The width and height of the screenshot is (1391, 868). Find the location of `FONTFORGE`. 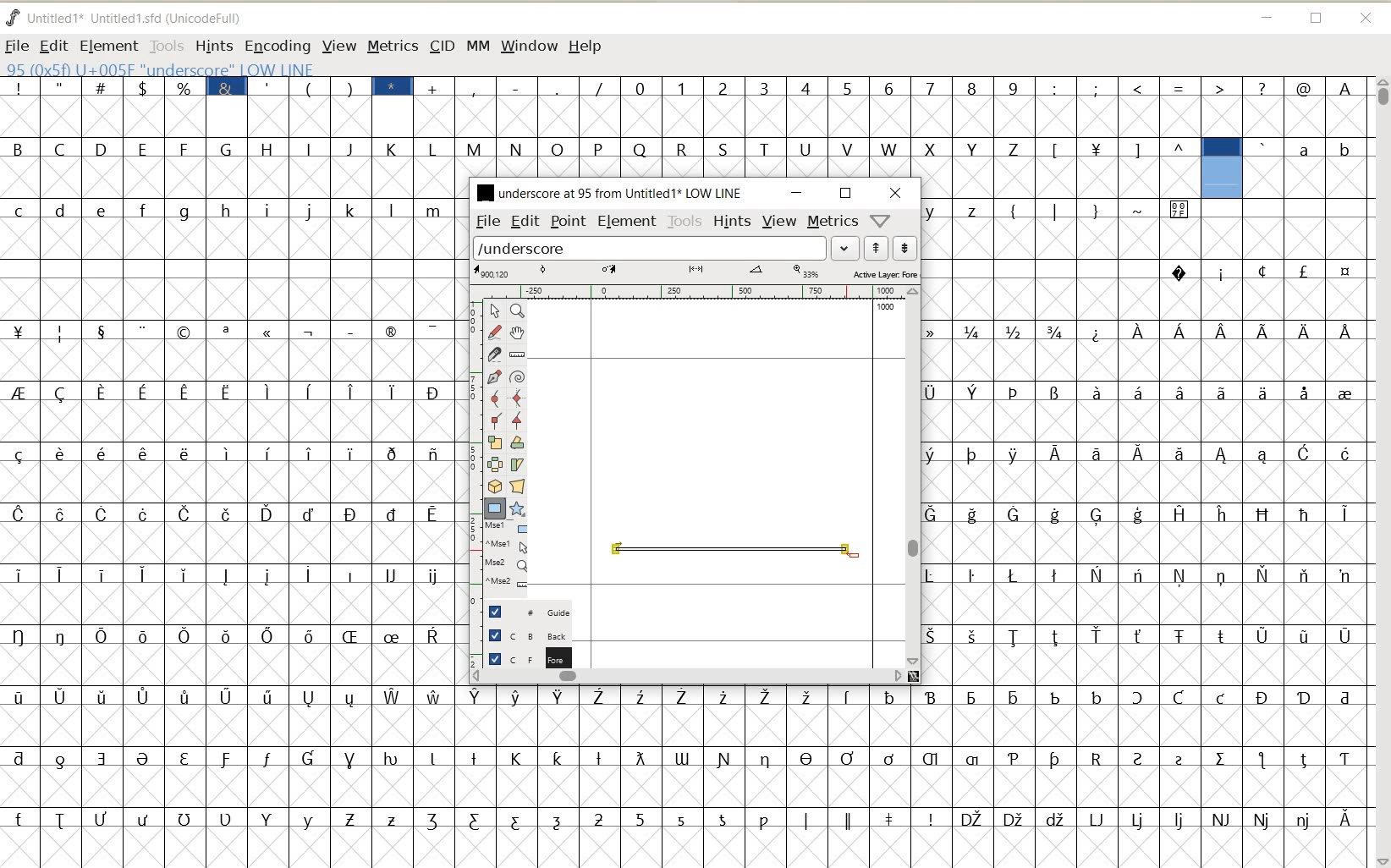

FONTFORGE is located at coordinates (13, 17).